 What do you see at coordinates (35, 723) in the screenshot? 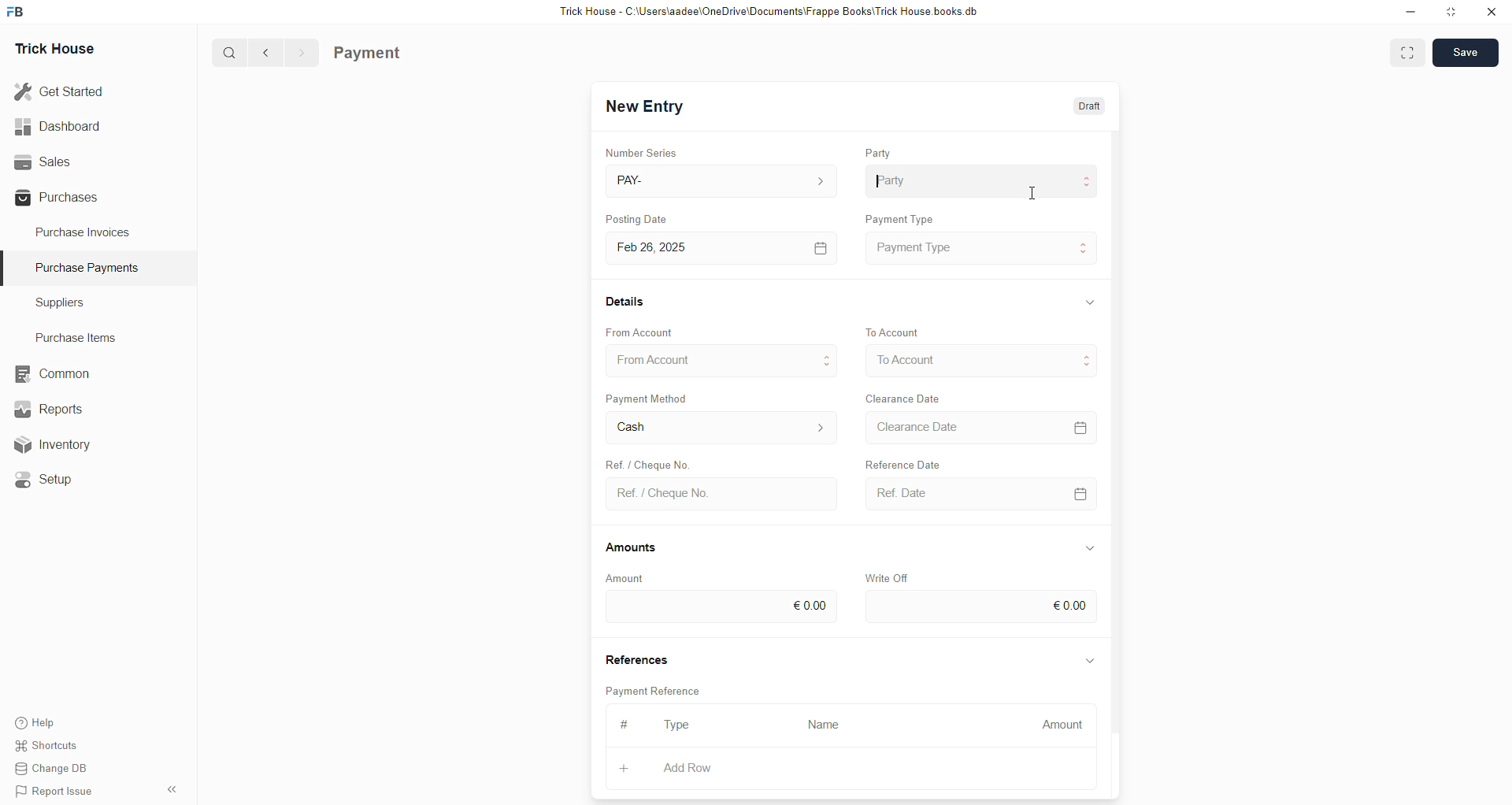
I see `Help` at bounding box center [35, 723].